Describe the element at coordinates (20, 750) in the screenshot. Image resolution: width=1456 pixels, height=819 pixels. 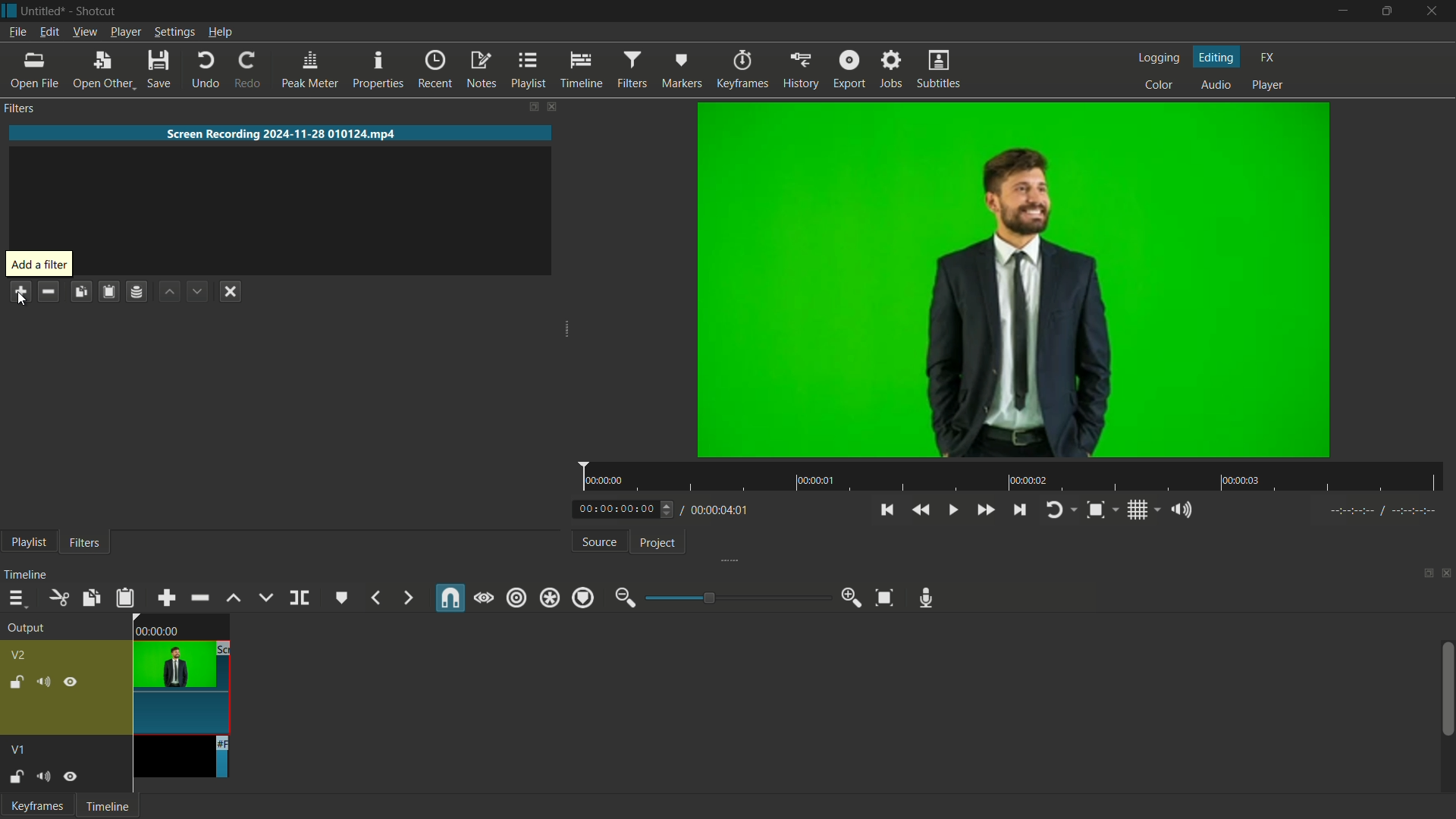
I see `v1` at that location.